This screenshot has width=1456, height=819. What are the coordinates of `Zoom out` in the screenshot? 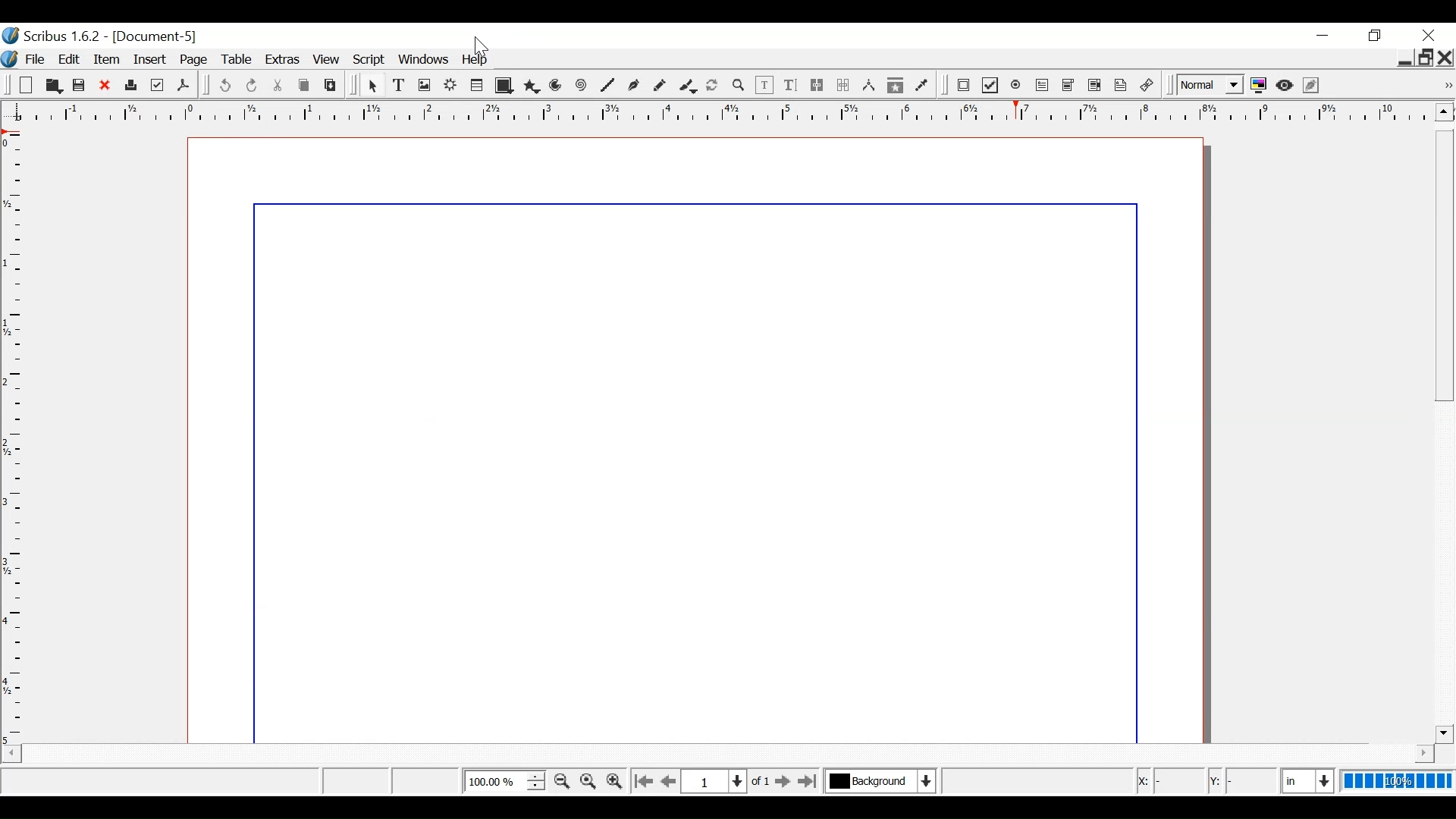 It's located at (562, 781).